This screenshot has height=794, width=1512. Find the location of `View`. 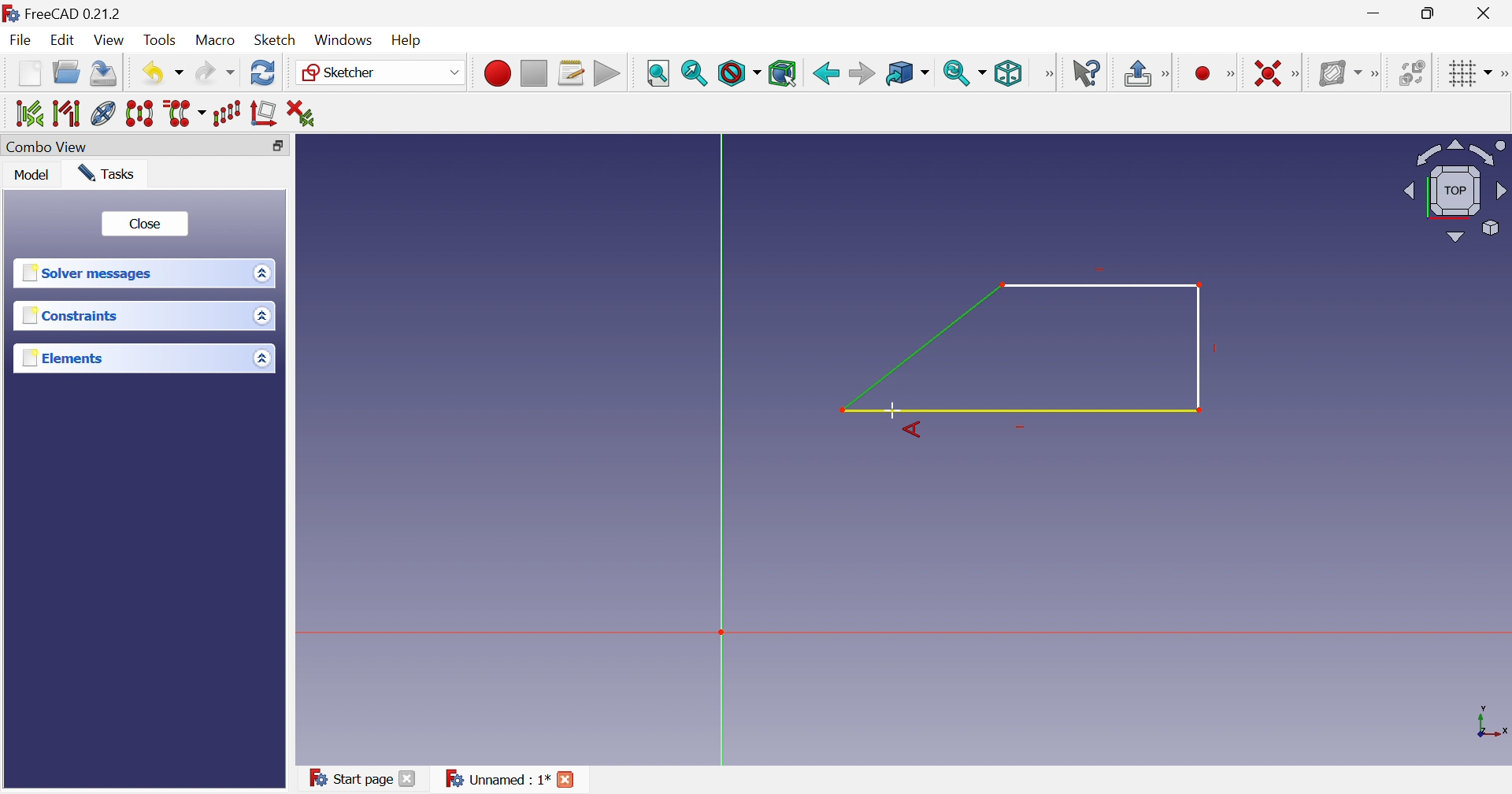

View is located at coordinates (110, 40).